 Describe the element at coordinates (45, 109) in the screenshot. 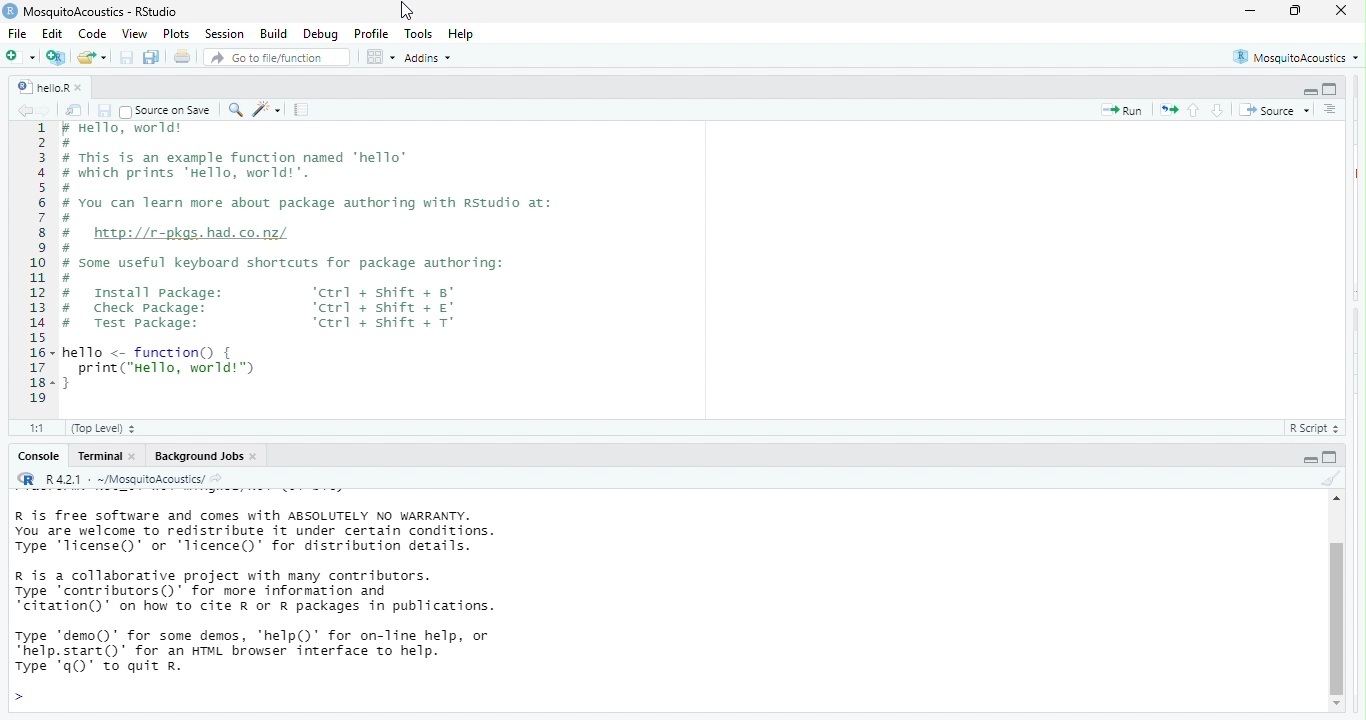

I see `go forward to the next source location` at that location.